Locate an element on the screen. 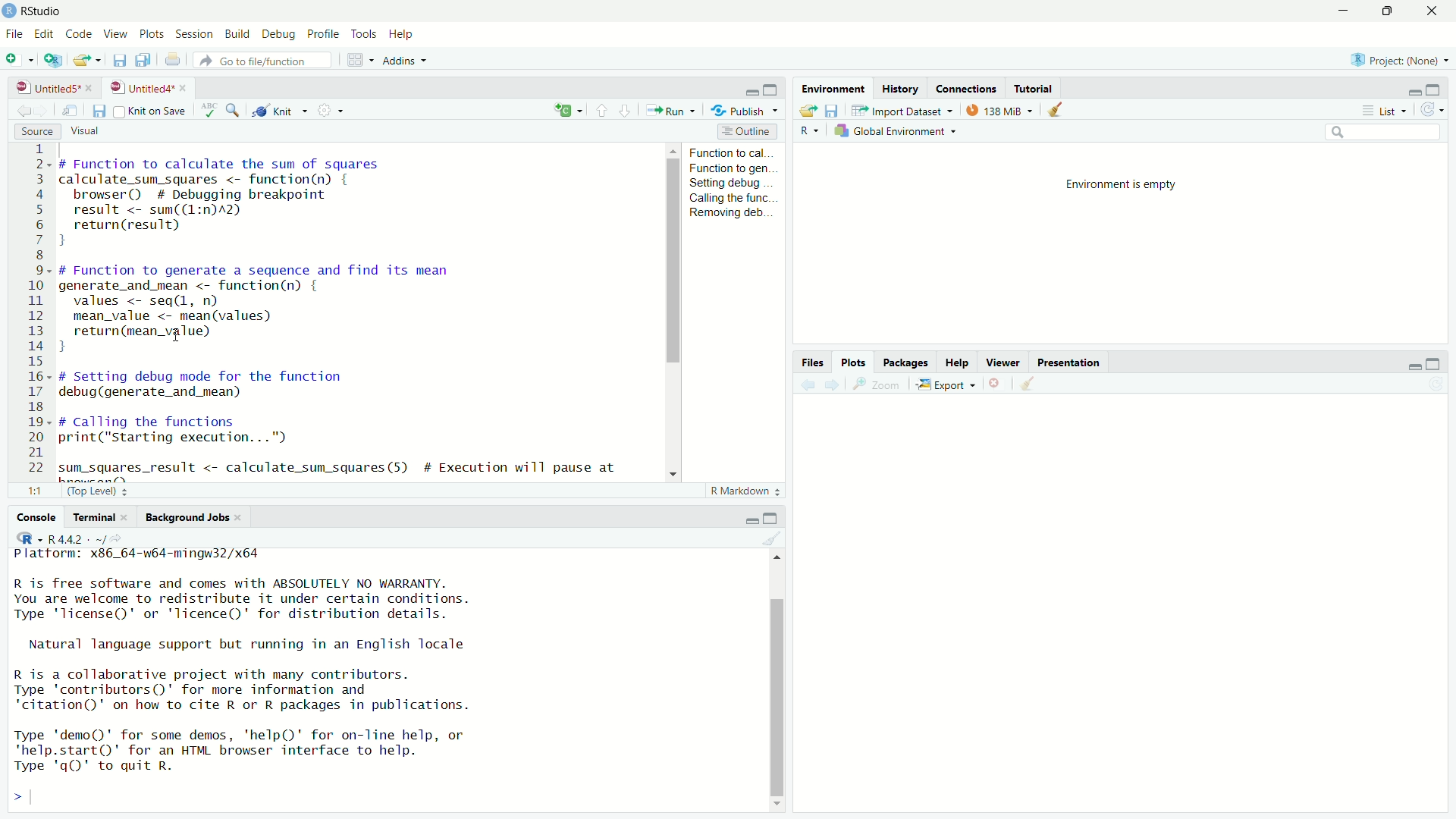 The height and width of the screenshot is (819, 1456). Natural language support but running in an English locale is located at coordinates (244, 643).